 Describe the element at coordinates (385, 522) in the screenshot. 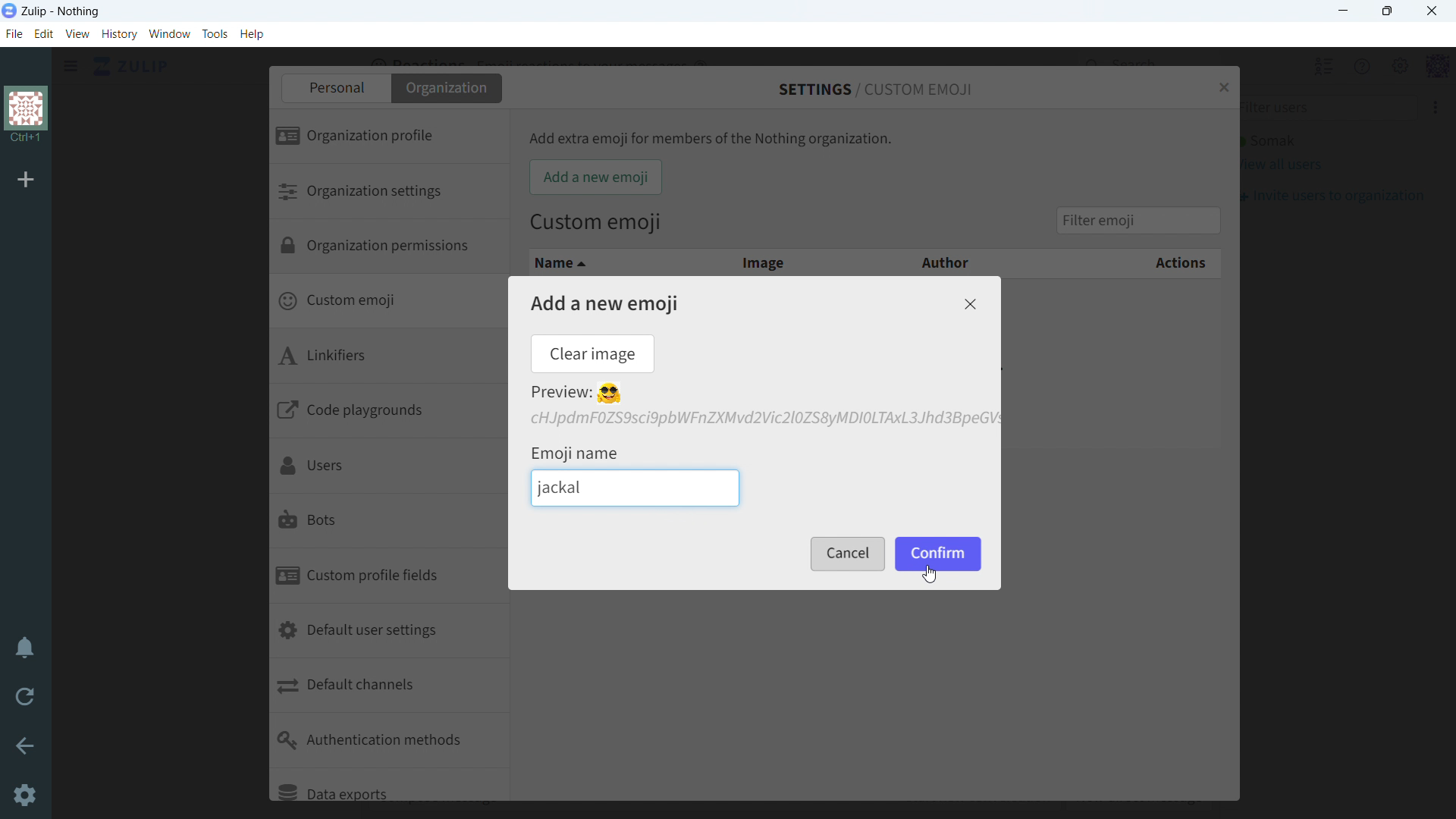

I see `bots` at that location.